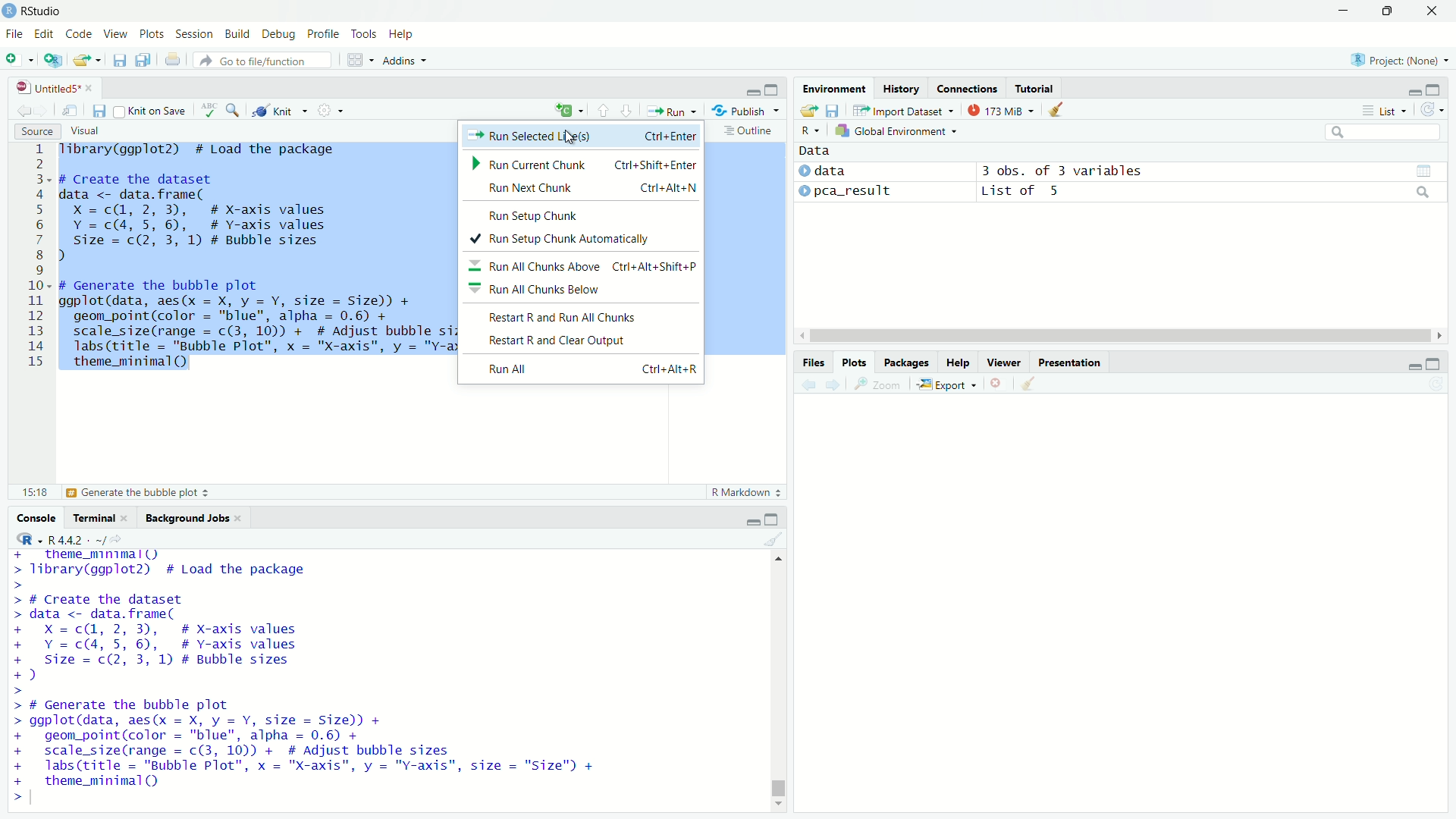 The image size is (1456, 819). What do you see at coordinates (46, 108) in the screenshot?
I see `go forward` at bounding box center [46, 108].